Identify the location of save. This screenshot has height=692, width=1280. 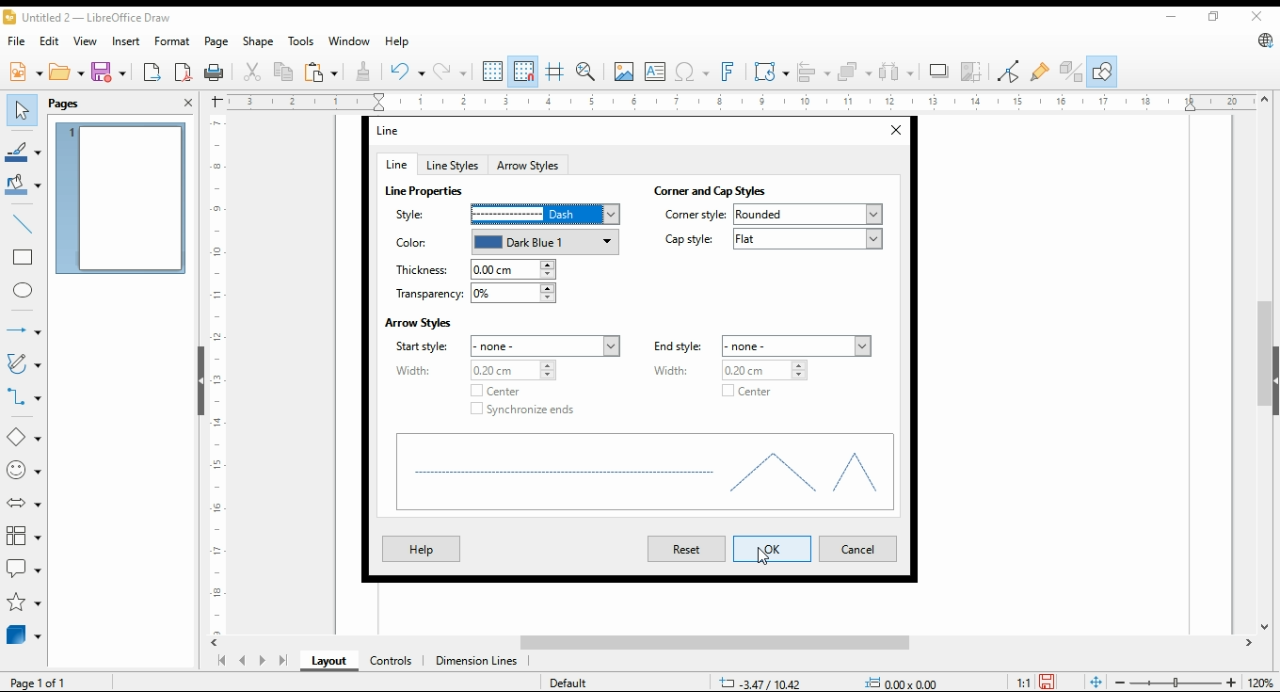
(1046, 682).